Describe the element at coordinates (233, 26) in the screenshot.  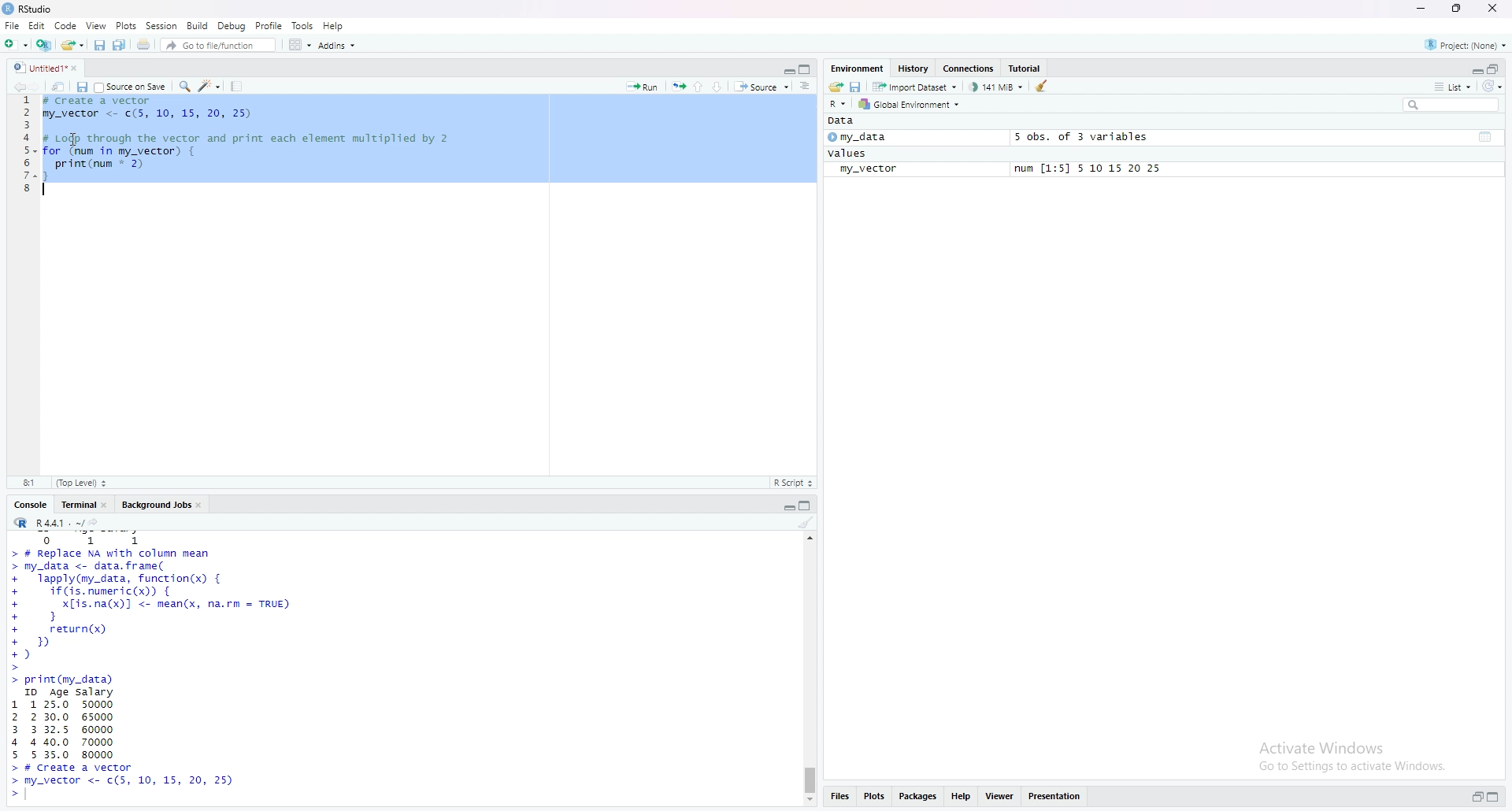
I see `Debug` at that location.